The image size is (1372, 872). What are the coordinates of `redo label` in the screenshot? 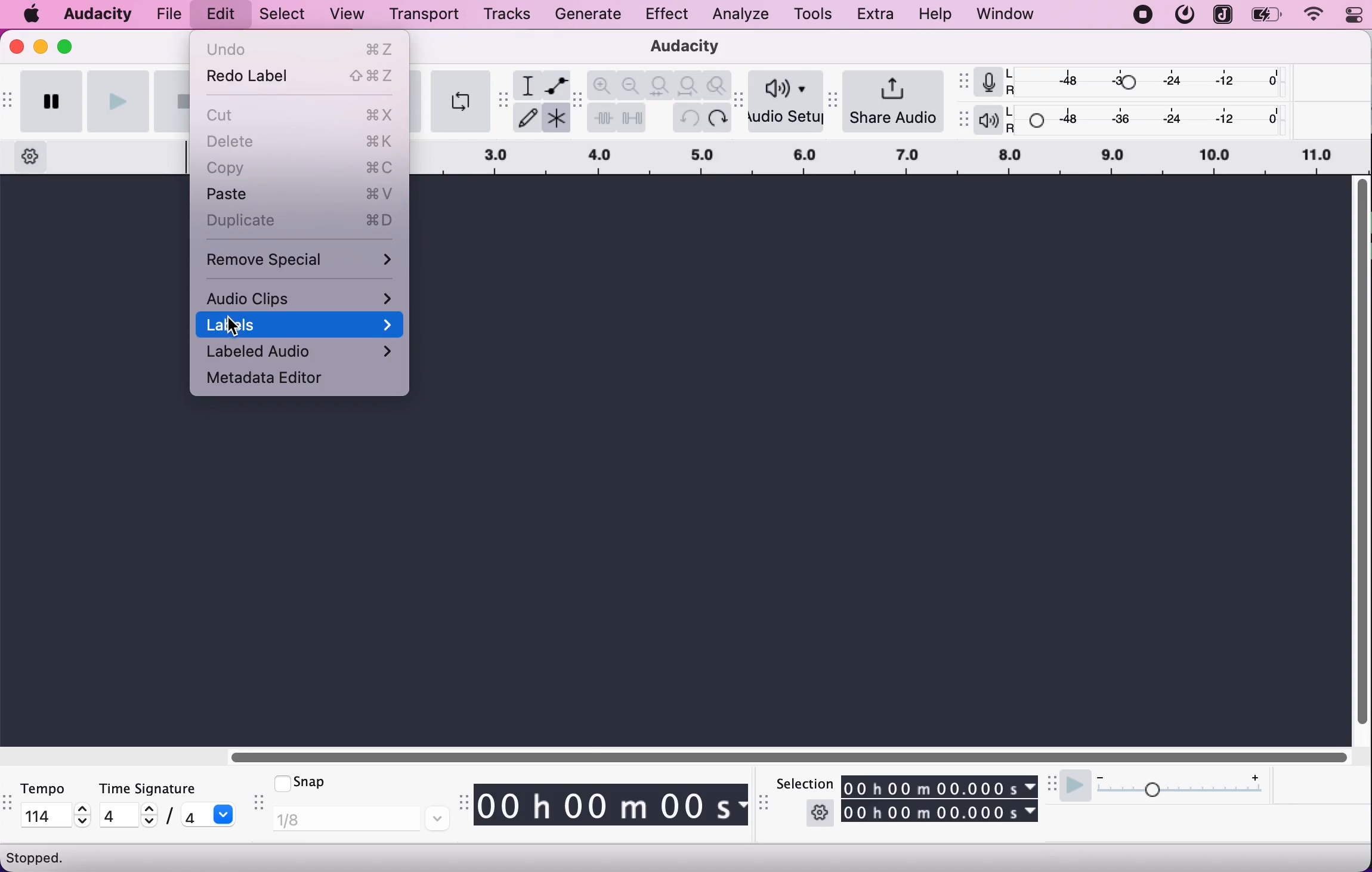 It's located at (301, 79).